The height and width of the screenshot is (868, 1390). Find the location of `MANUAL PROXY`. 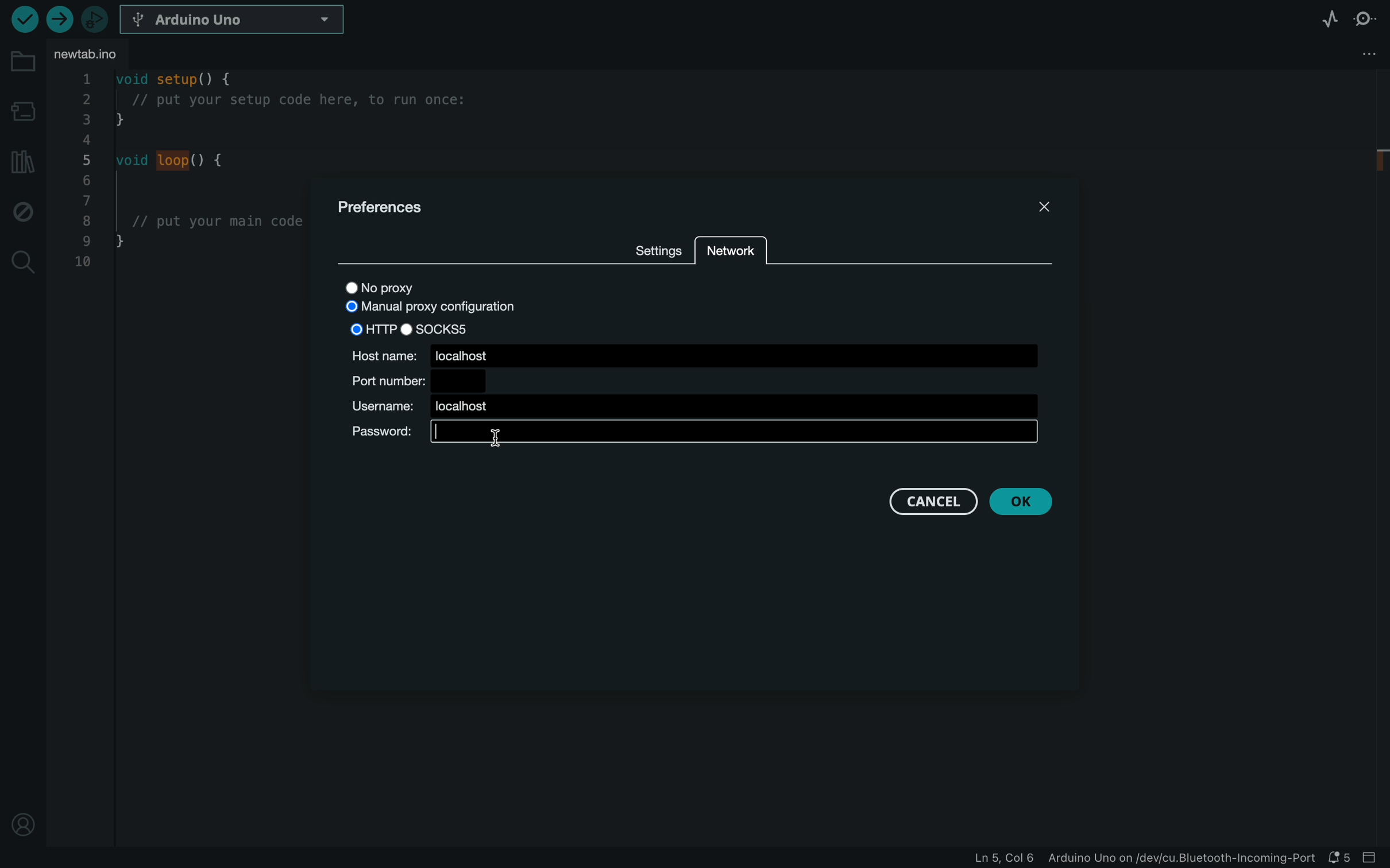

MANUAL PROXY is located at coordinates (428, 308).